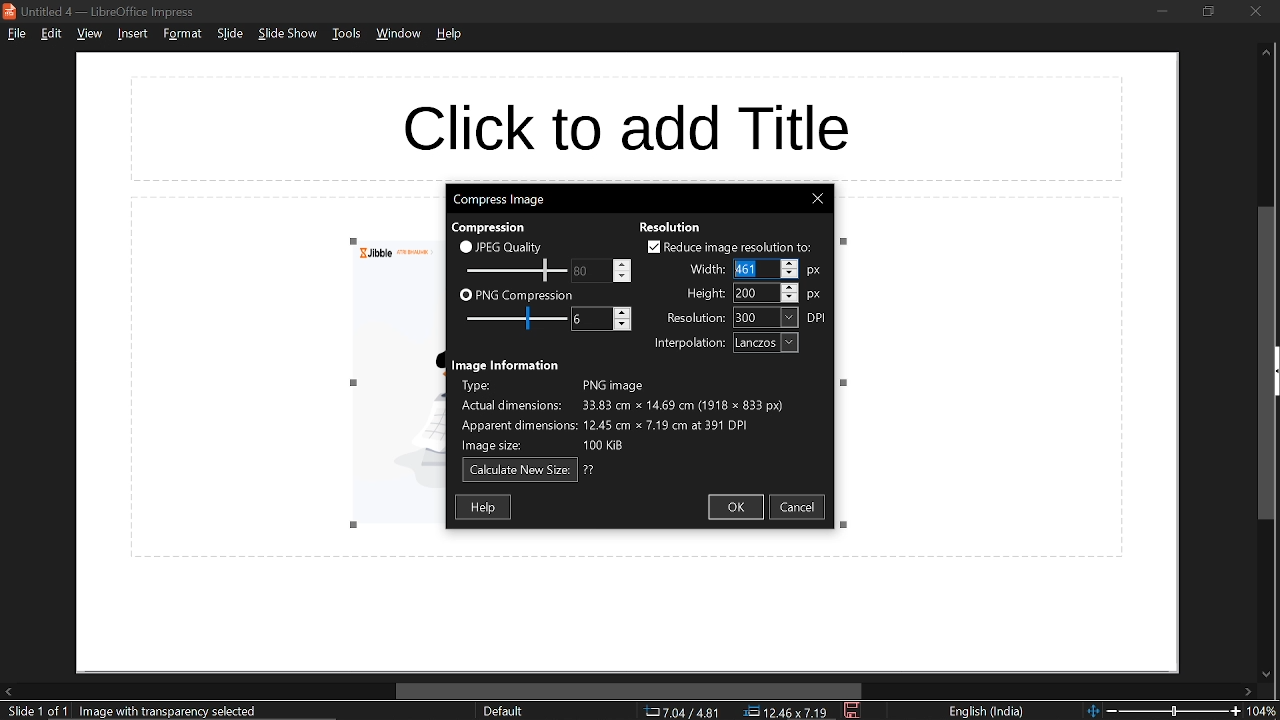  I want to click on sheet style, so click(502, 712).